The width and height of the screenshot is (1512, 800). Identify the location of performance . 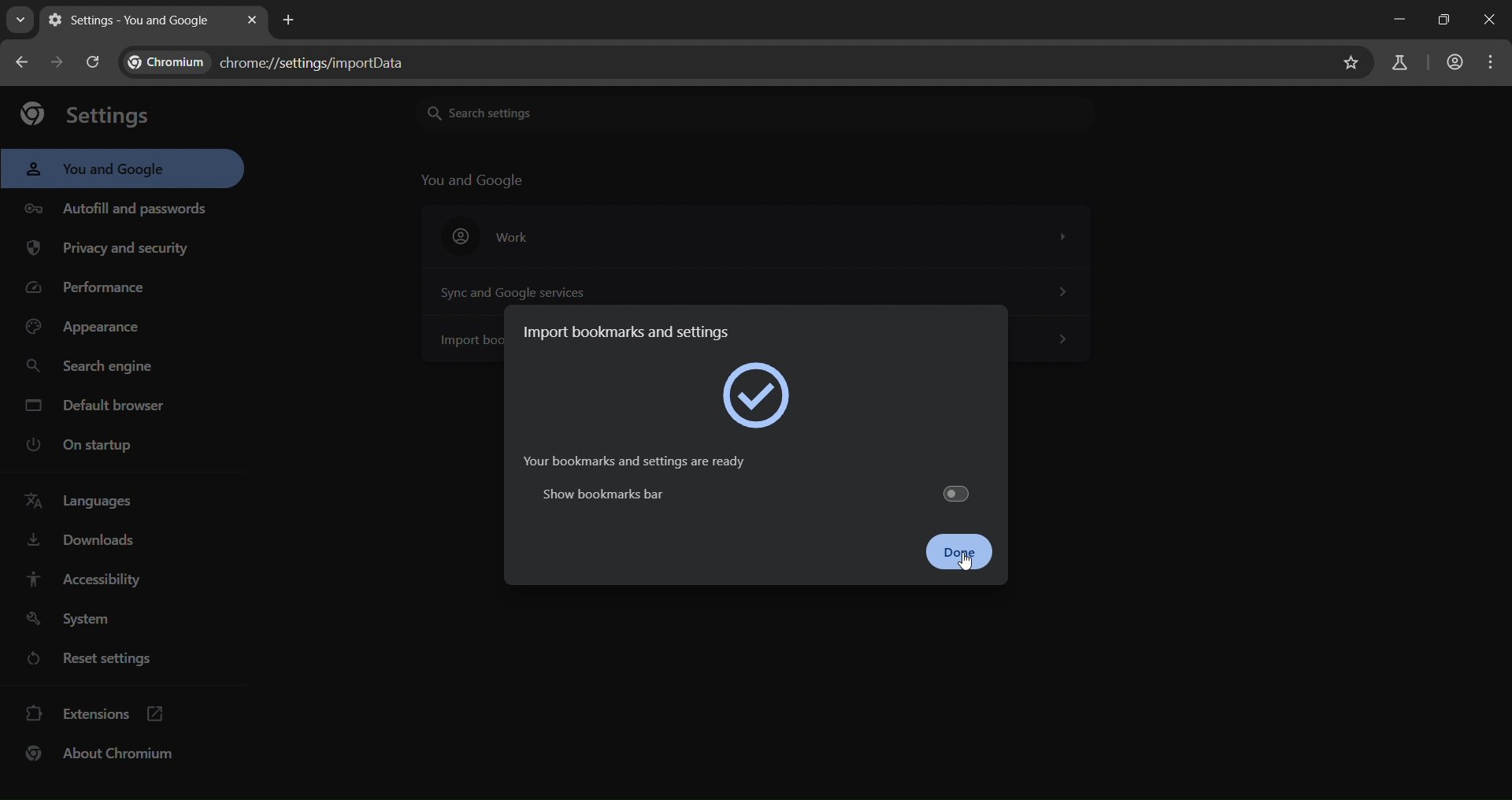
(90, 291).